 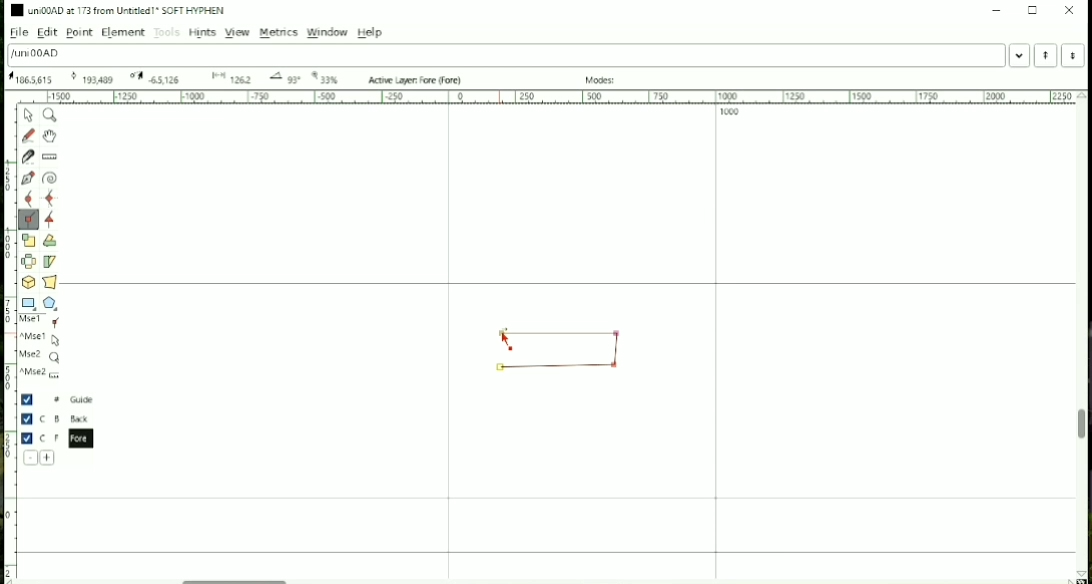 What do you see at coordinates (1020, 55) in the screenshot?
I see `Word list` at bounding box center [1020, 55].